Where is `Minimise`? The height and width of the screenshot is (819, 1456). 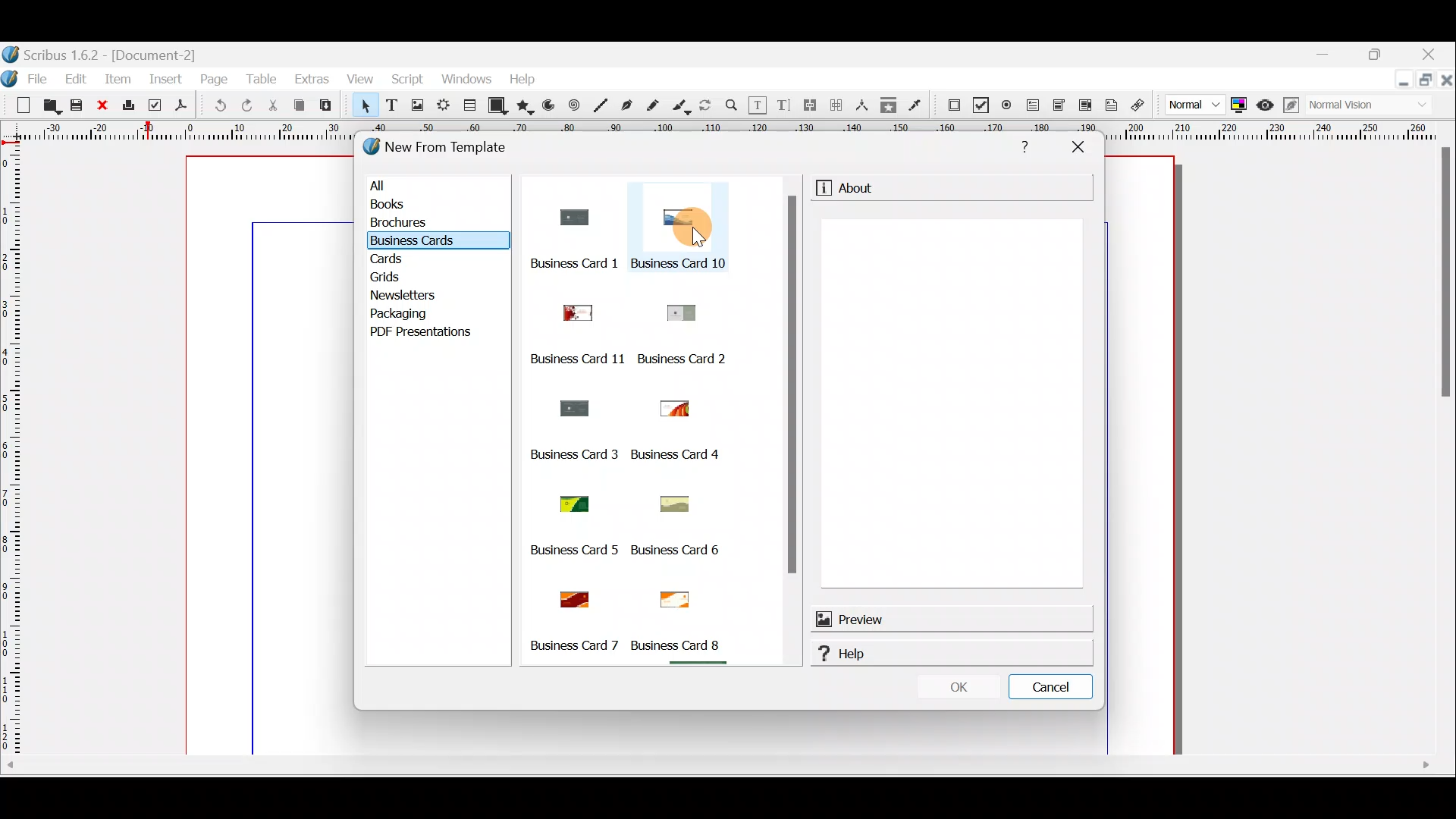
Minimise is located at coordinates (1399, 86).